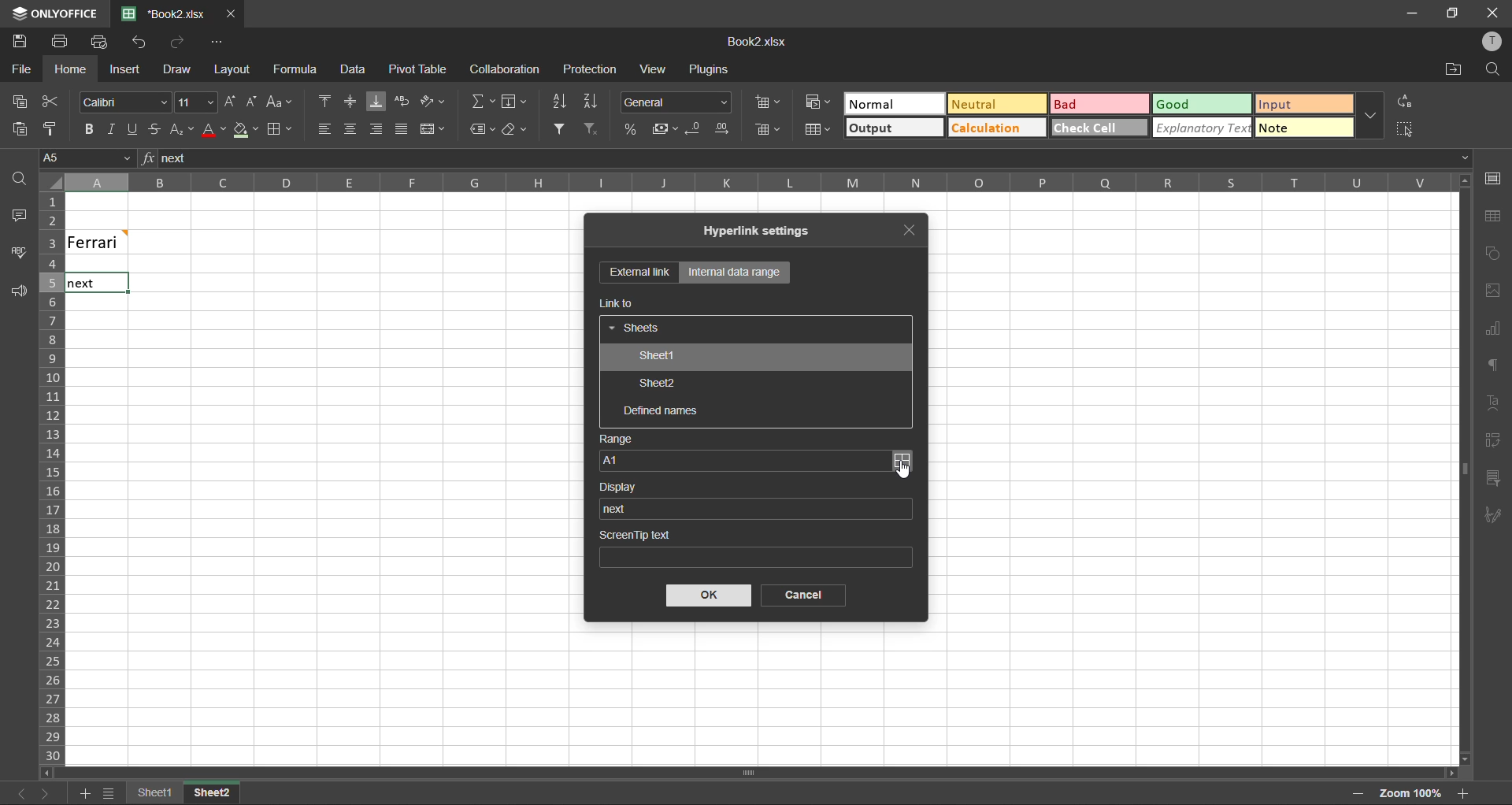 The height and width of the screenshot is (805, 1512). What do you see at coordinates (765, 232) in the screenshot?
I see `hyperlink settings` at bounding box center [765, 232].